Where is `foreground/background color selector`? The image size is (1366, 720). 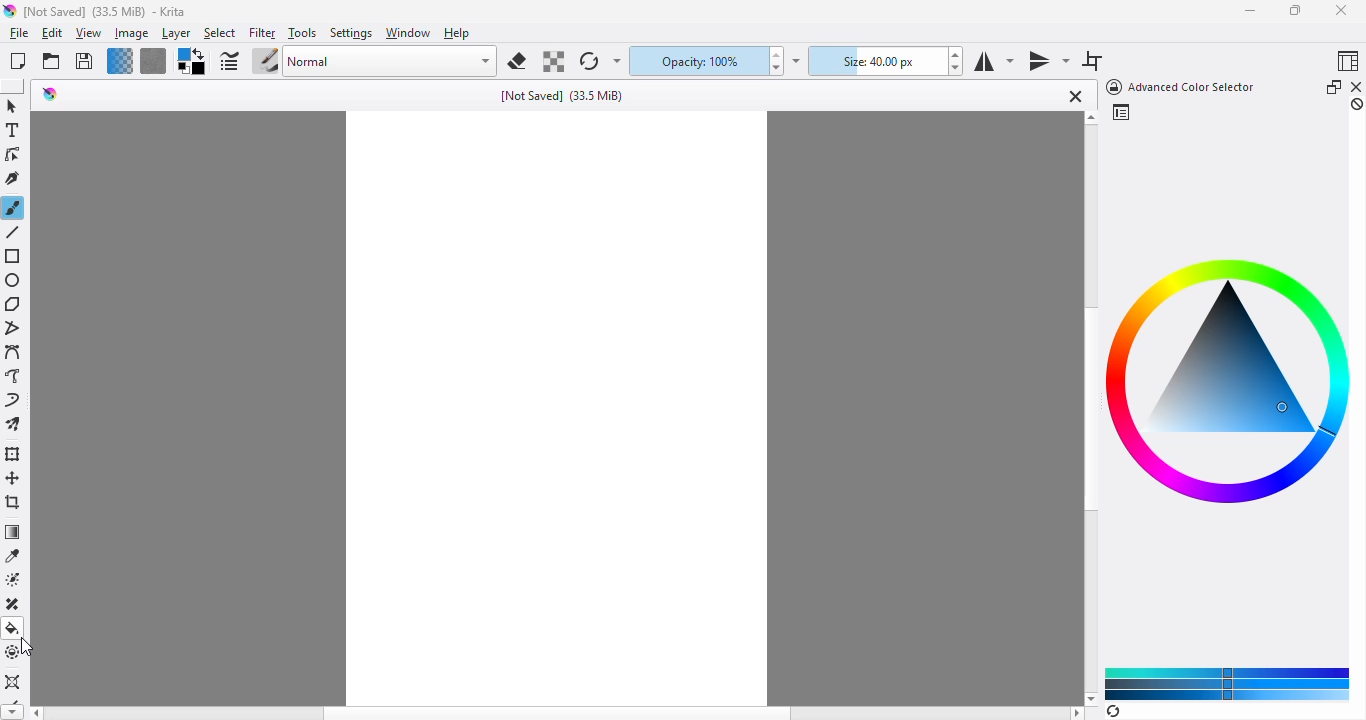
foreground/background color selector is located at coordinates (192, 61).